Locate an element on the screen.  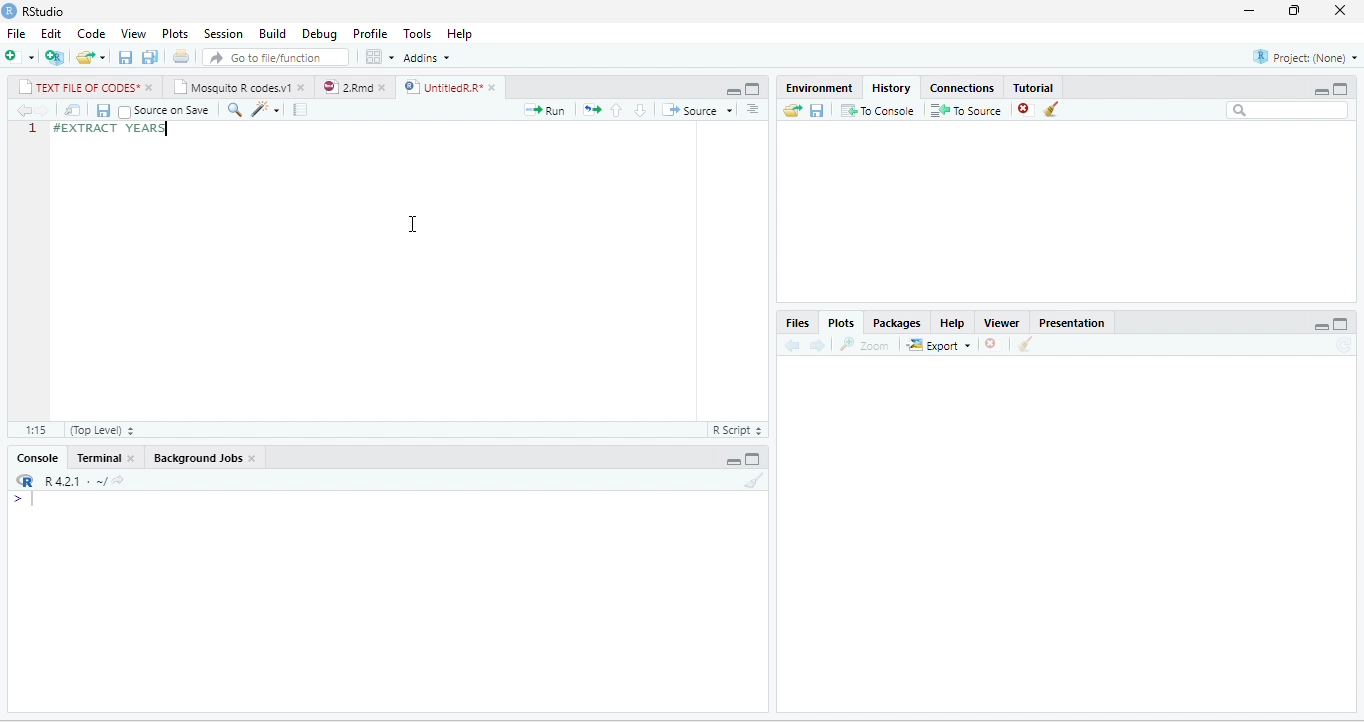
close is located at coordinates (1340, 11).